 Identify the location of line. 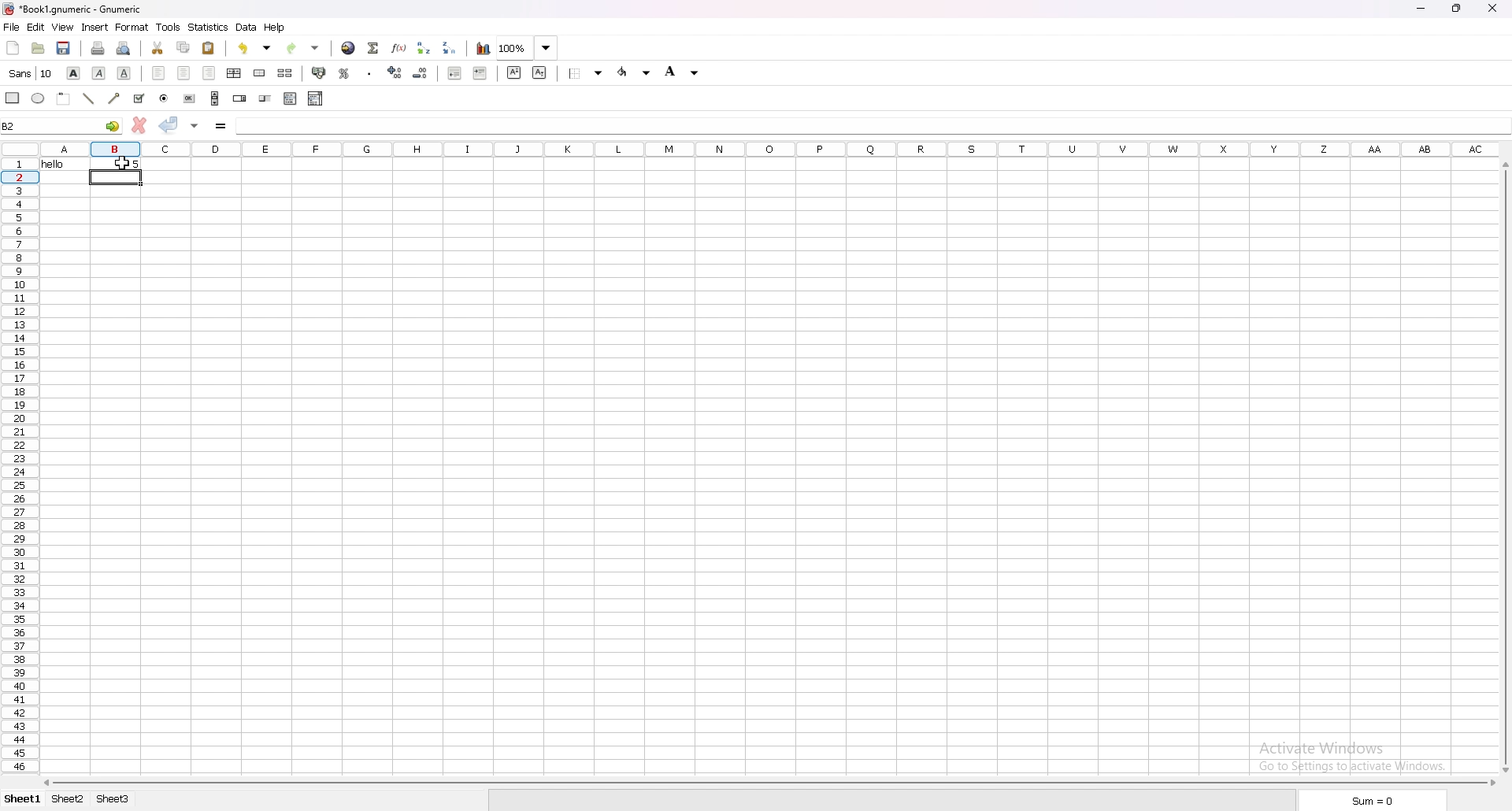
(89, 98).